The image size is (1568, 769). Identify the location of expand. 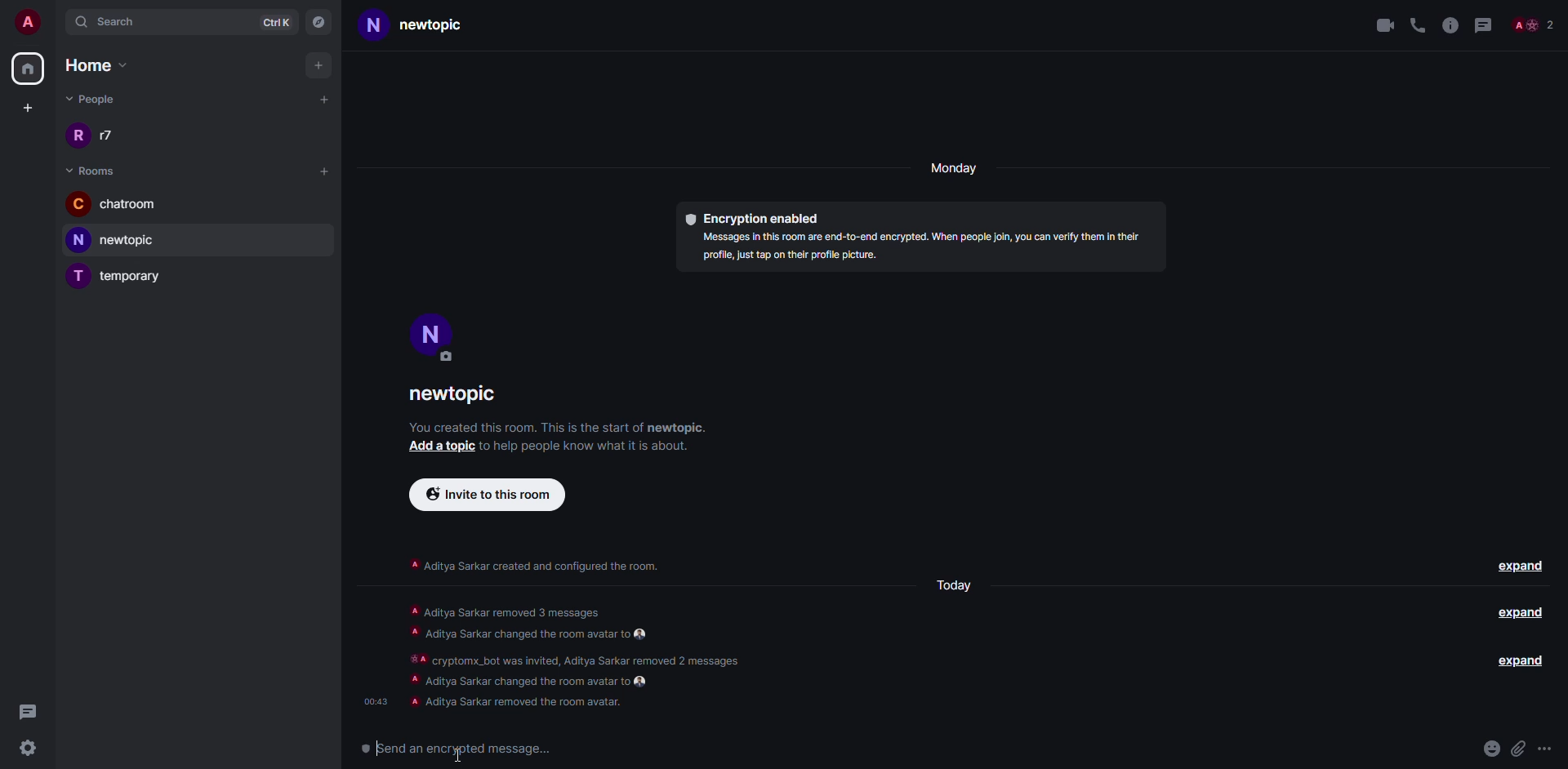
(1522, 566).